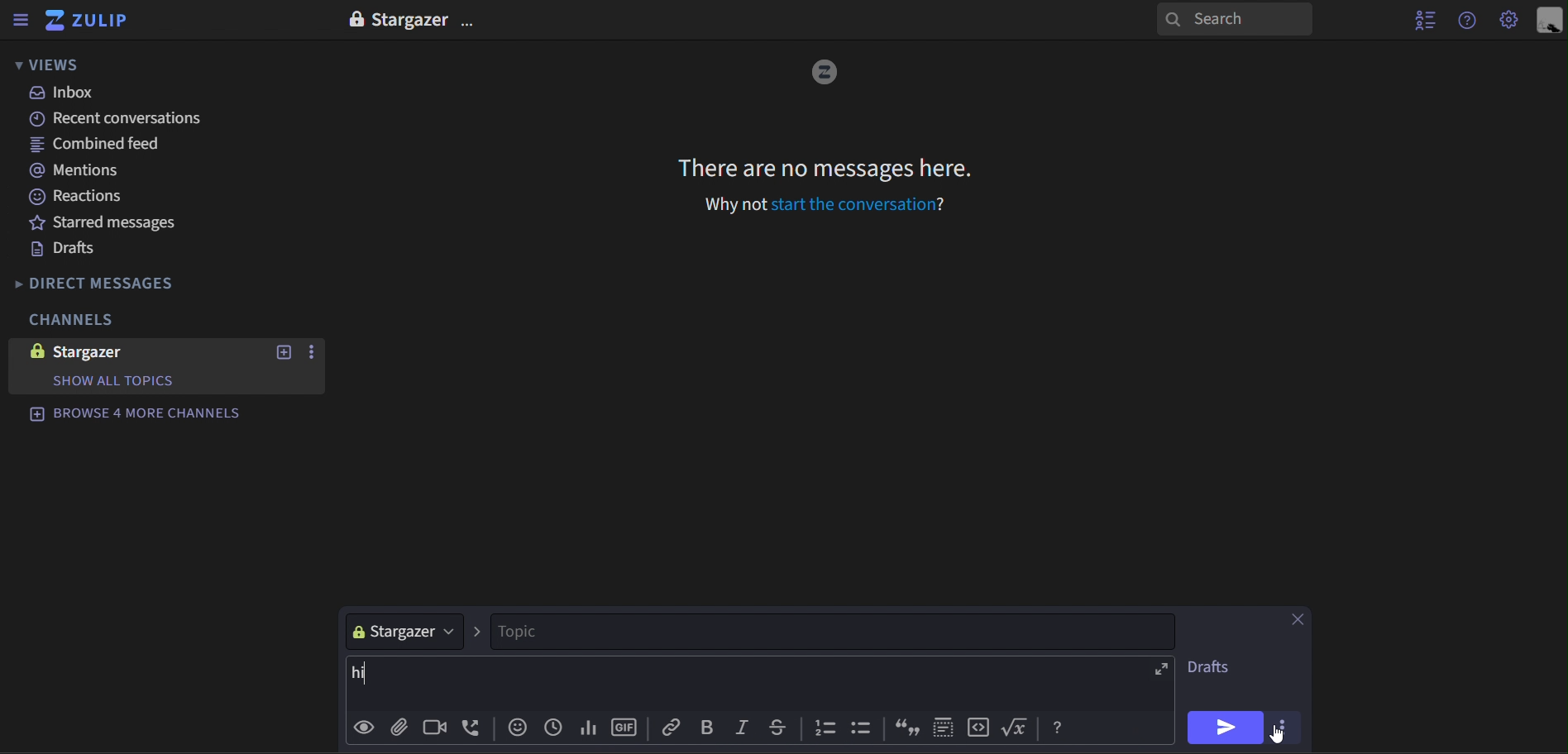  What do you see at coordinates (480, 631) in the screenshot?
I see `>` at bounding box center [480, 631].